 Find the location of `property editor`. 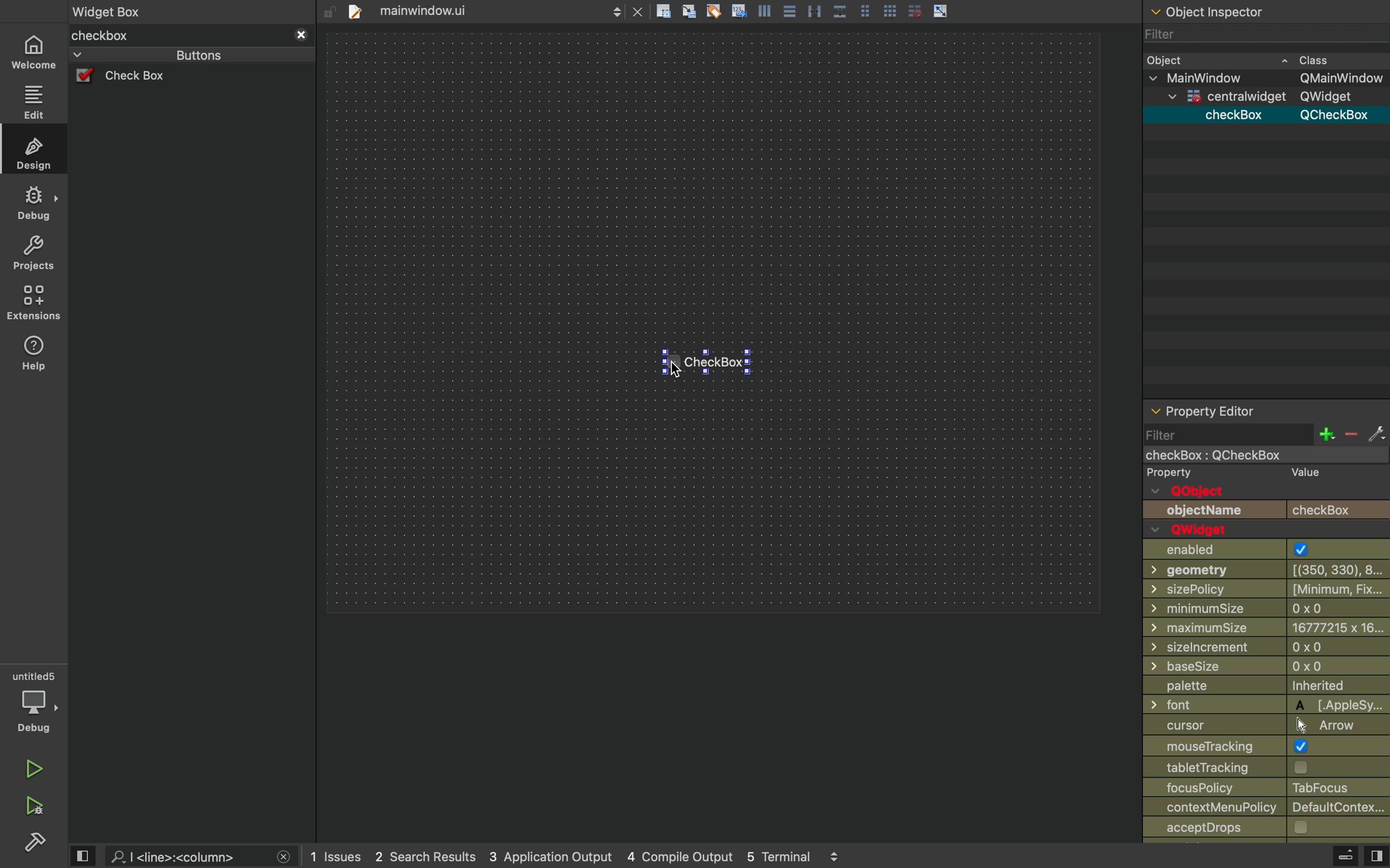

property editor is located at coordinates (1267, 411).